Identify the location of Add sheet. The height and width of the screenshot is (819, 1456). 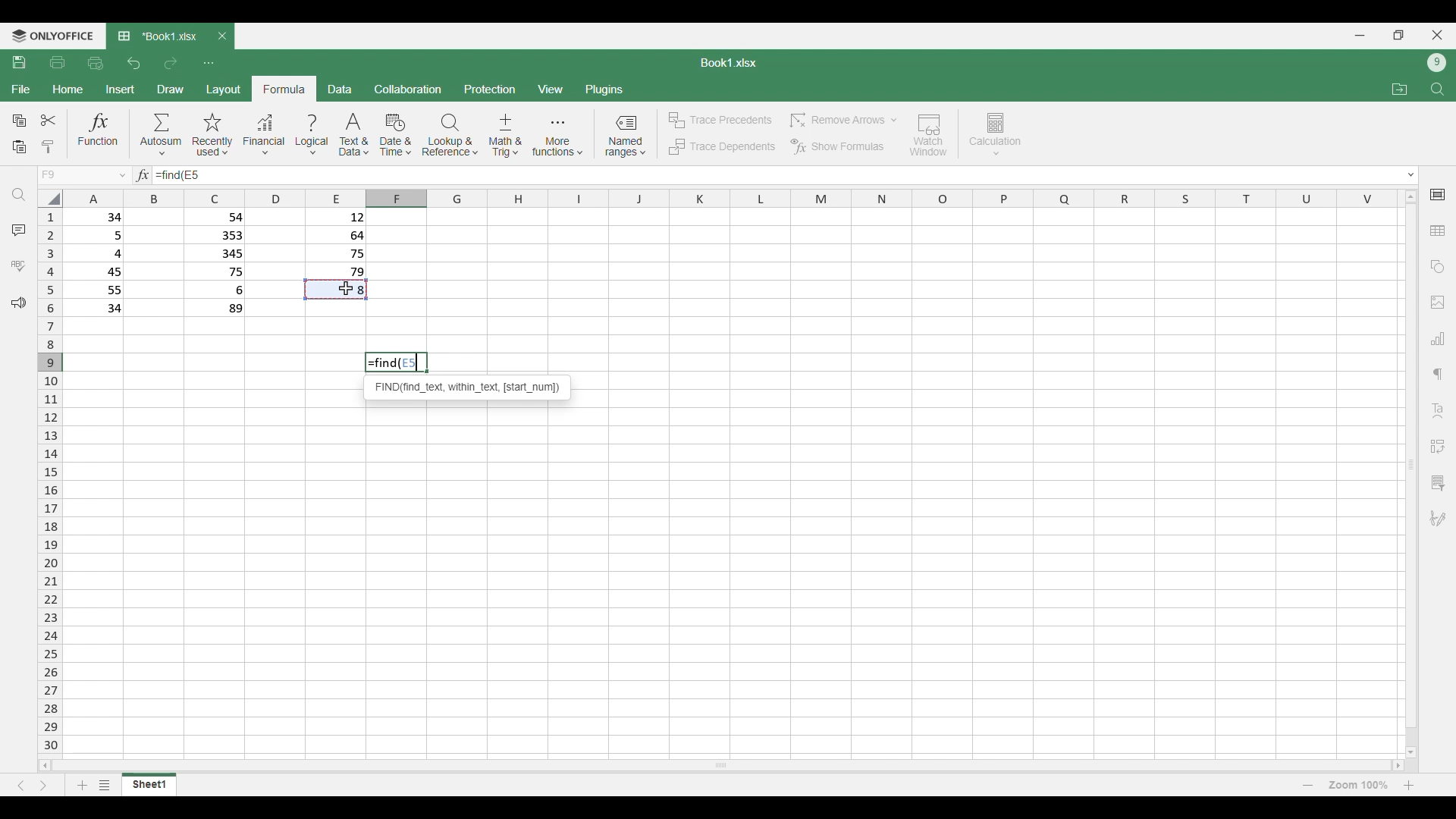
(83, 785).